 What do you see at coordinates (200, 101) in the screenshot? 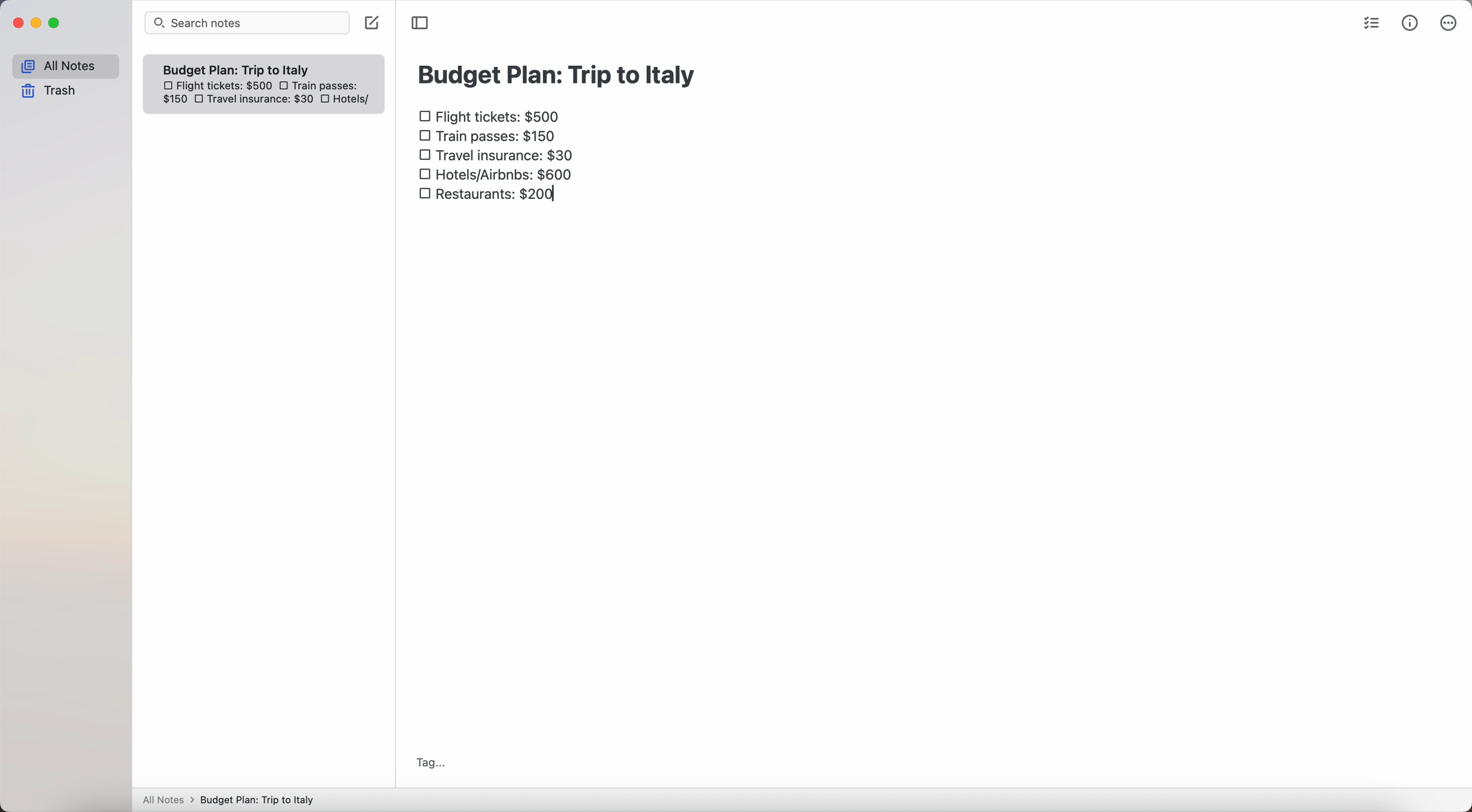
I see `checkbox` at bounding box center [200, 101].